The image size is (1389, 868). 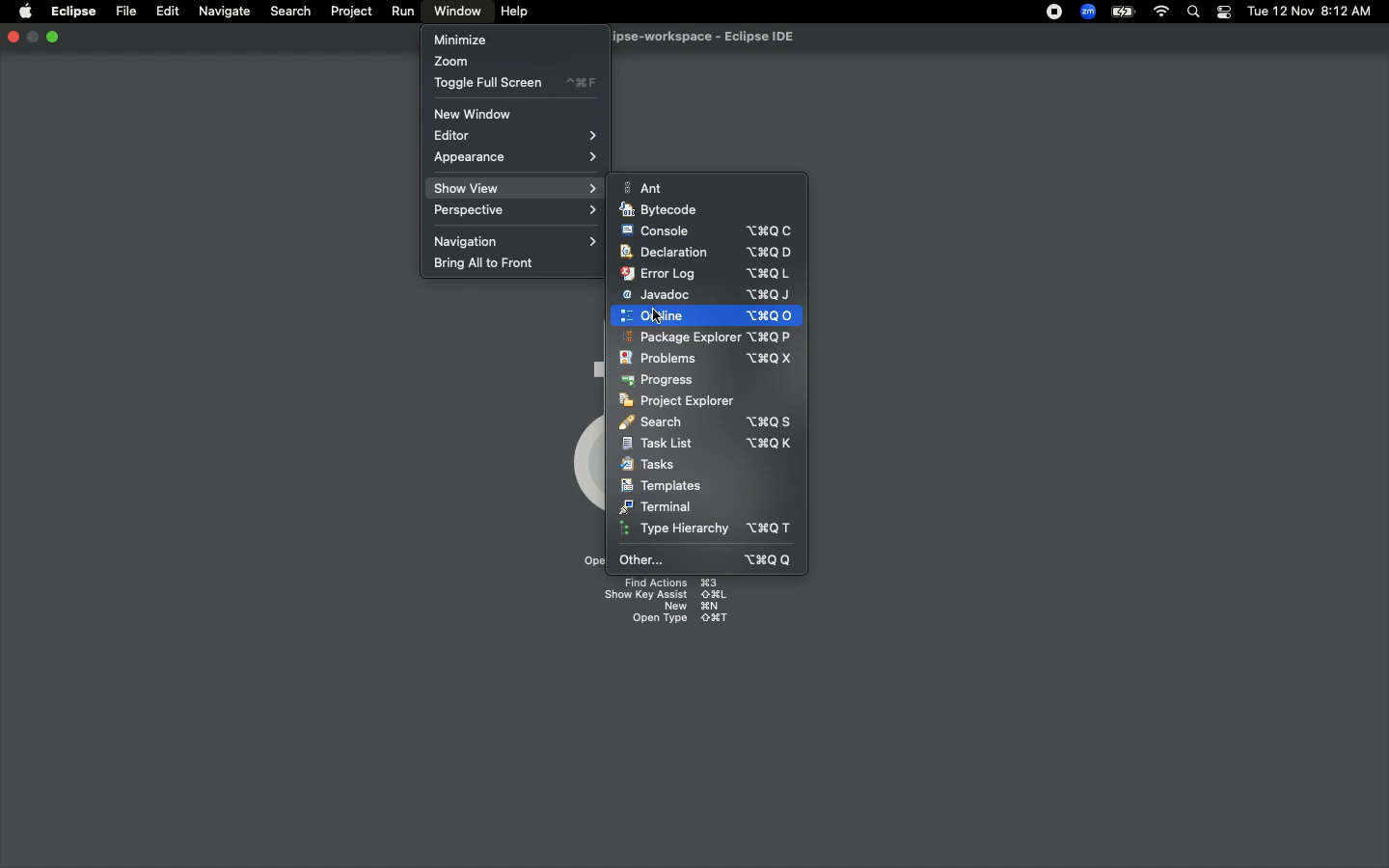 What do you see at coordinates (510, 242) in the screenshot?
I see `Navigation` at bounding box center [510, 242].